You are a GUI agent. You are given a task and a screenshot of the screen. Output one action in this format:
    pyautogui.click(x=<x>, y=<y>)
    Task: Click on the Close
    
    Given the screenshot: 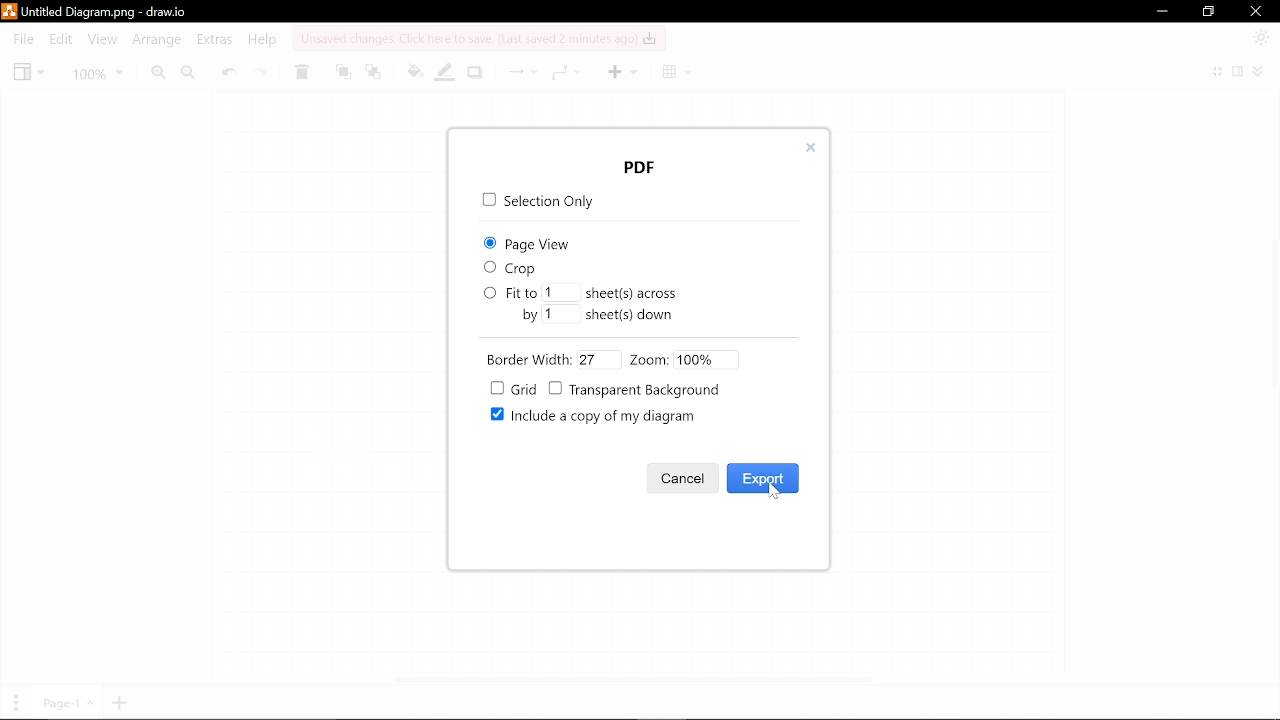 What is the action you would take?
    pyautogui.click(x=810, y=147)
    